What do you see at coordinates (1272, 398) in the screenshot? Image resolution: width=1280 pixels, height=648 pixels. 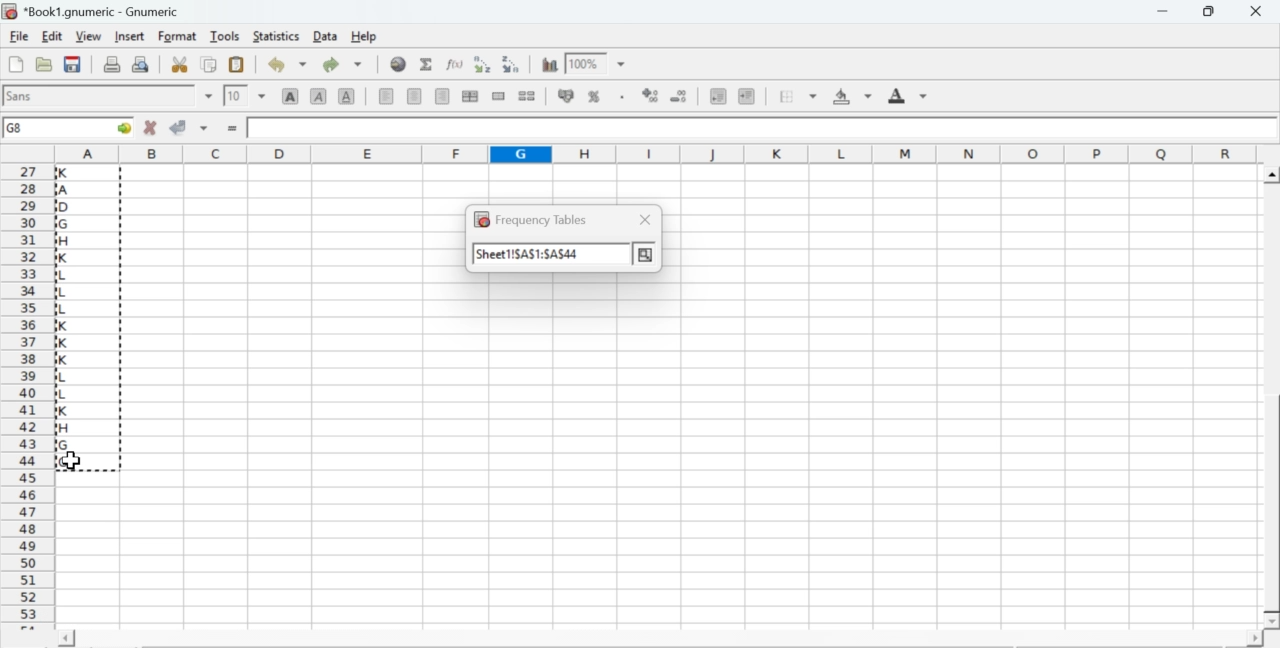 I see `scroll bar` at bounding box center [1272, 398].